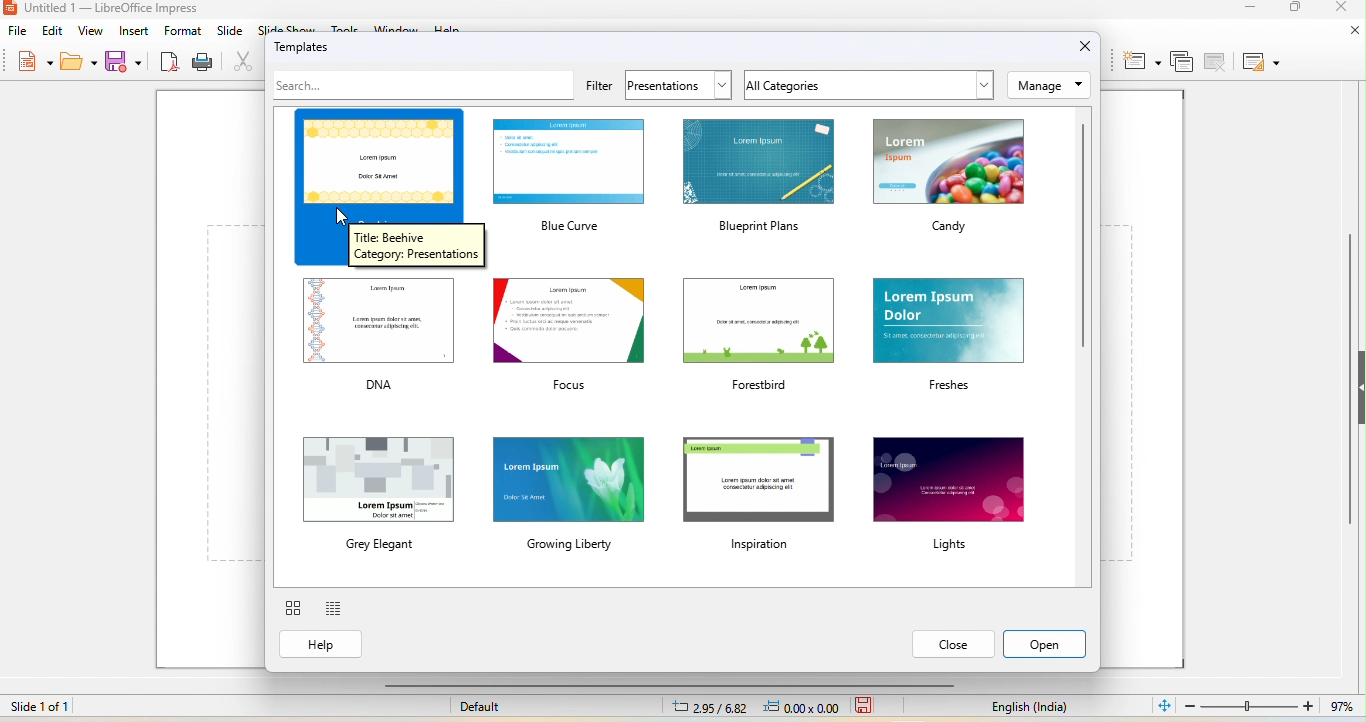  Describe the element at coordinates (79, 60) in the screenshot. I see `open` at that location.